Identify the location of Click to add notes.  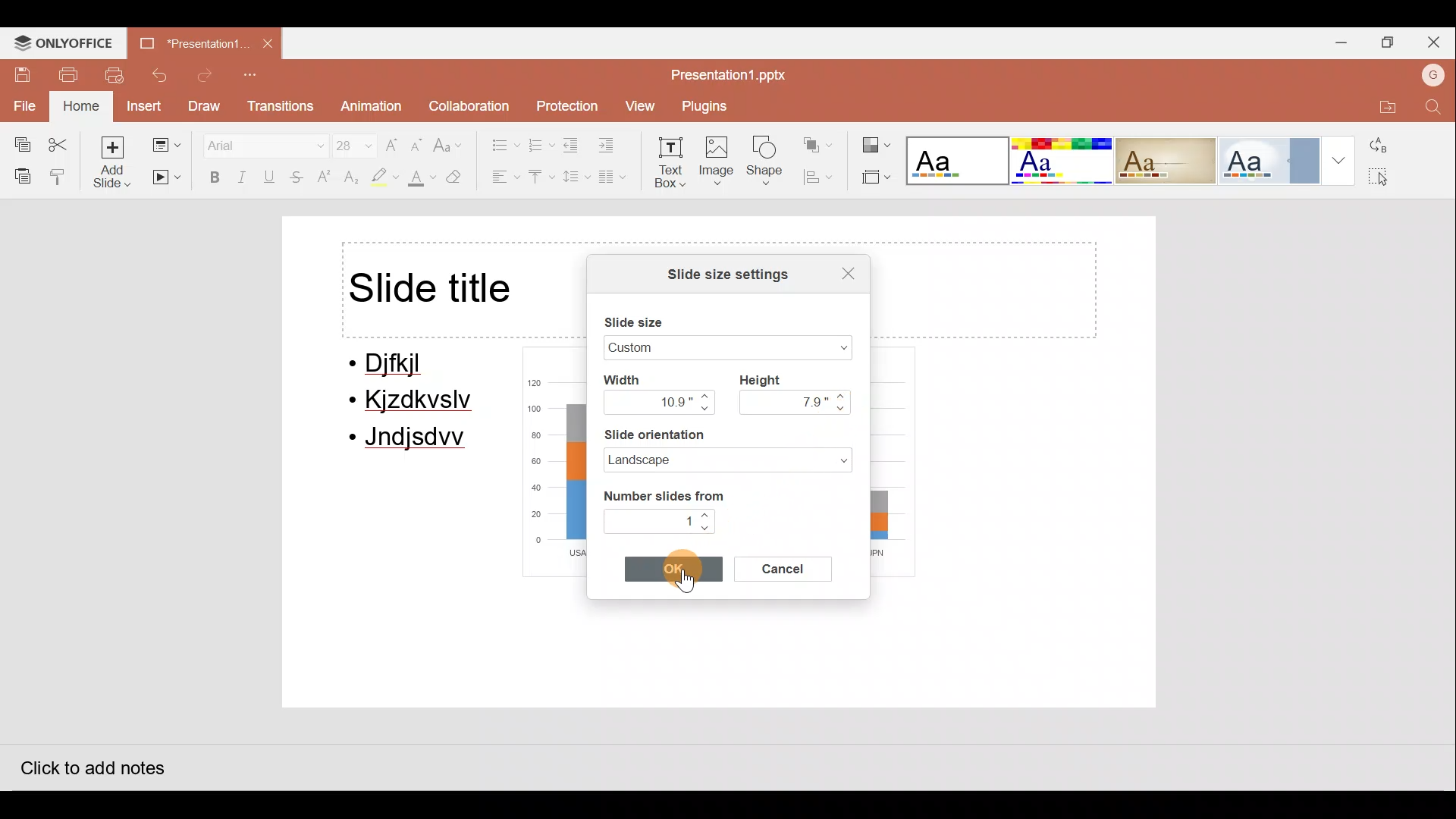
(90, 764).